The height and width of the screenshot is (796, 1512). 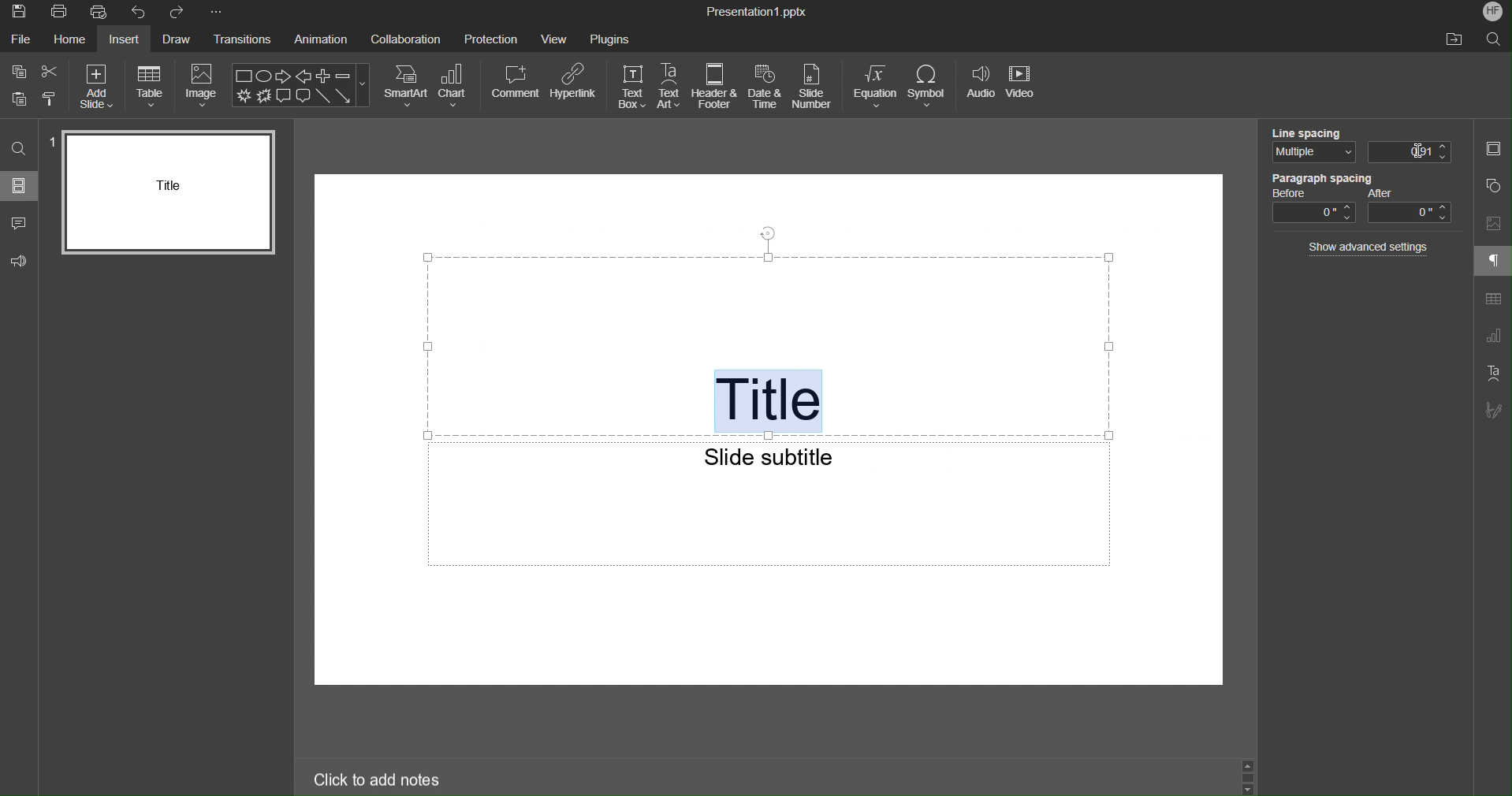 I want to click on Plugins, so click(x=609, y=39).